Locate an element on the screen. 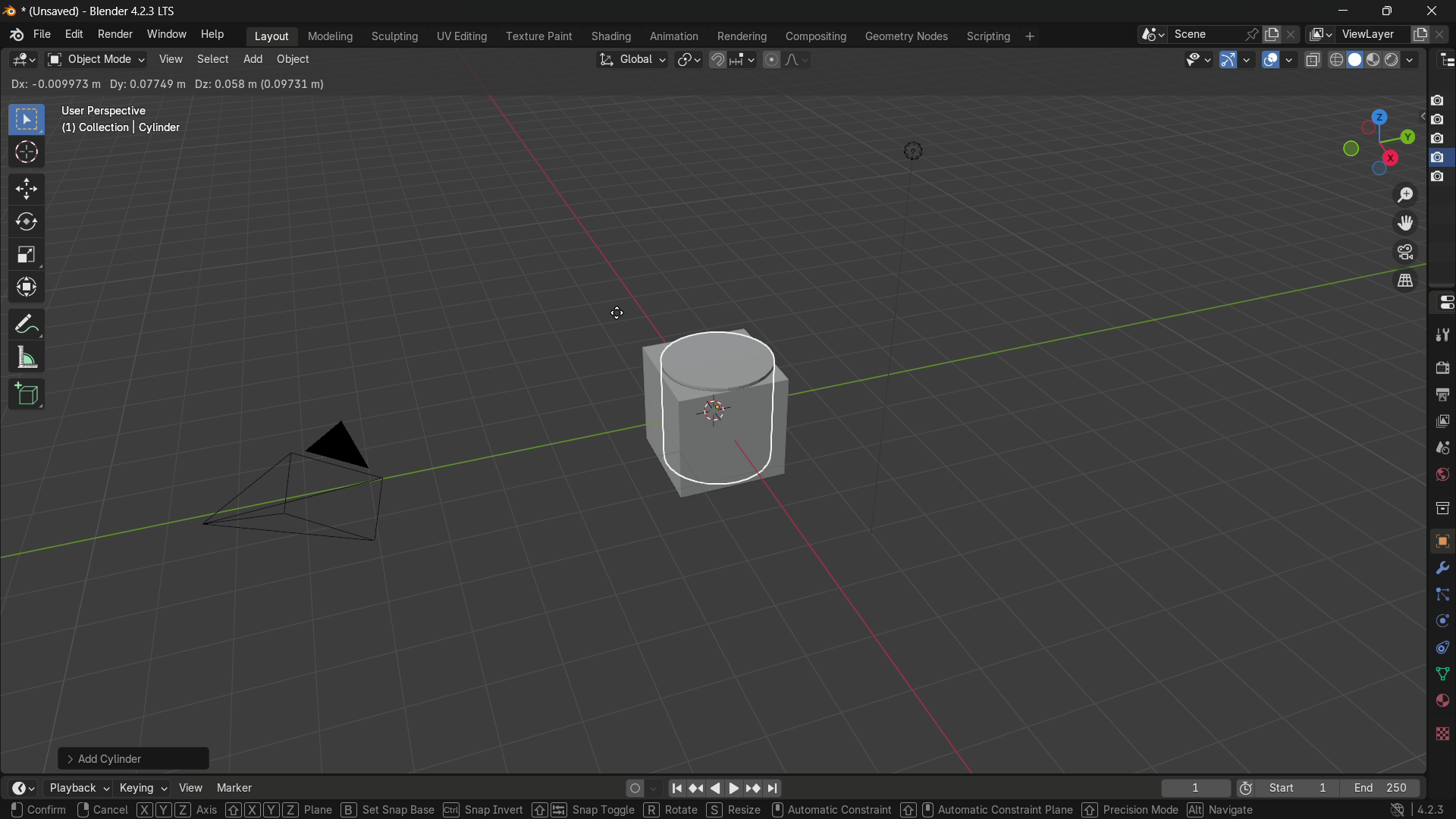 The width and height of the screenshot is (1456, 819). pin scene to workspace is located at coordinates (1252, 34).